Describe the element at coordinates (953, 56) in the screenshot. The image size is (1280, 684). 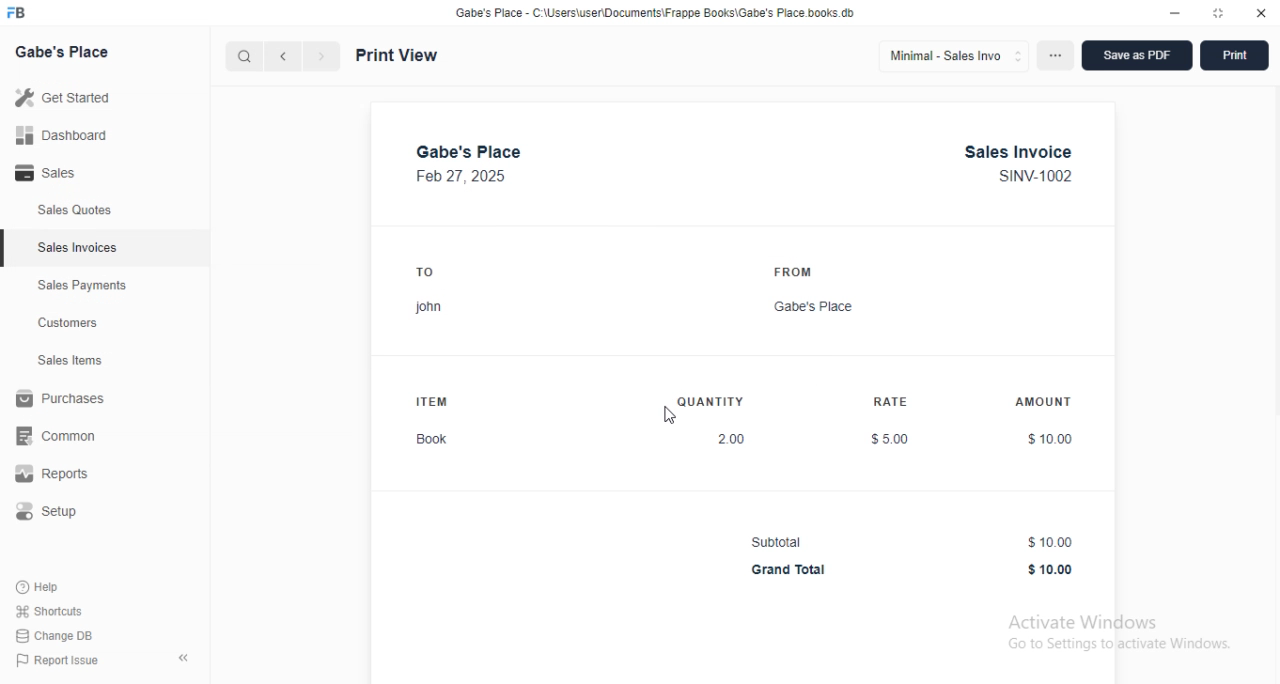
I see `minimal - sales invo` at that location.